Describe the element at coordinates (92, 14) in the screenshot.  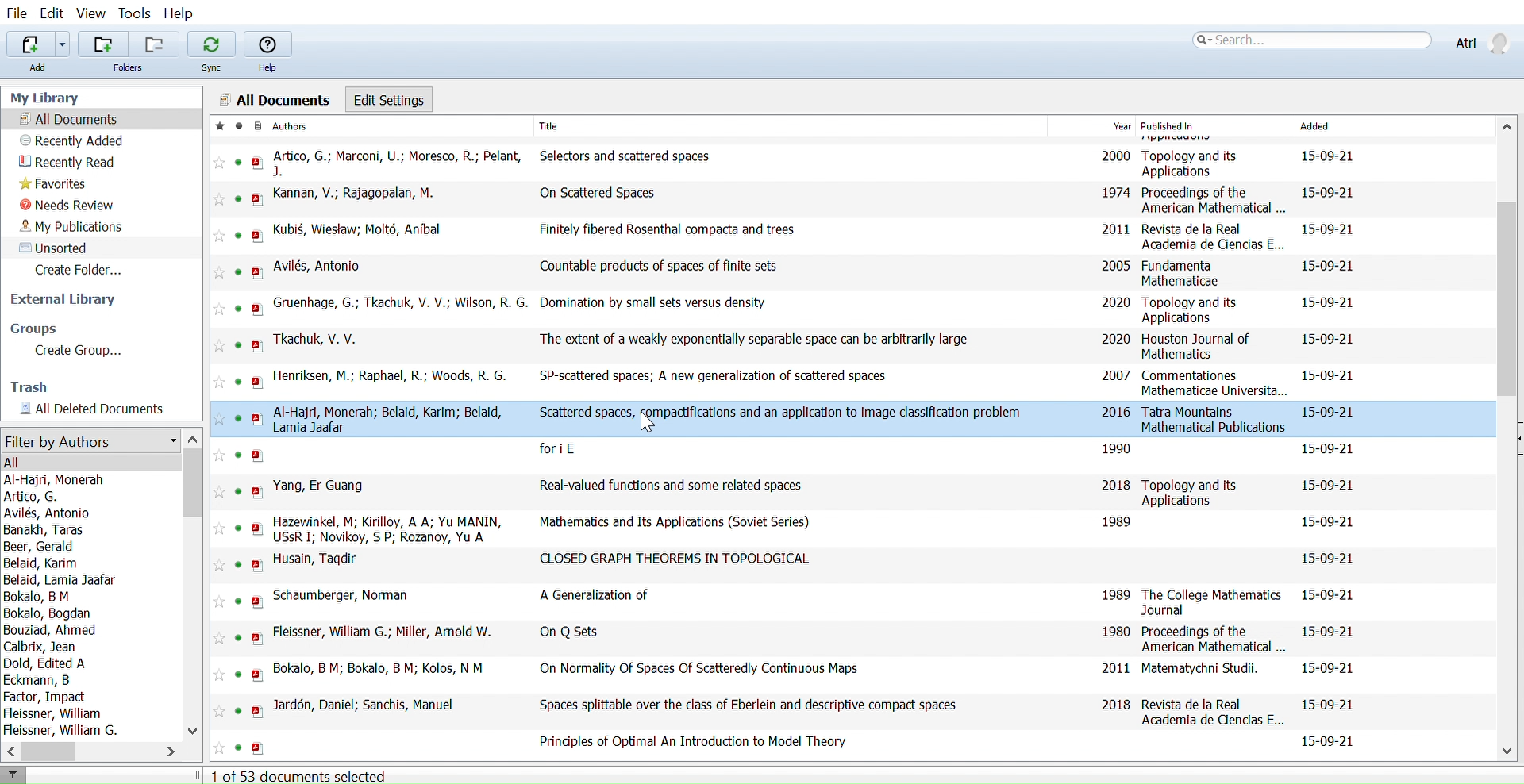
I see `View` at that location.